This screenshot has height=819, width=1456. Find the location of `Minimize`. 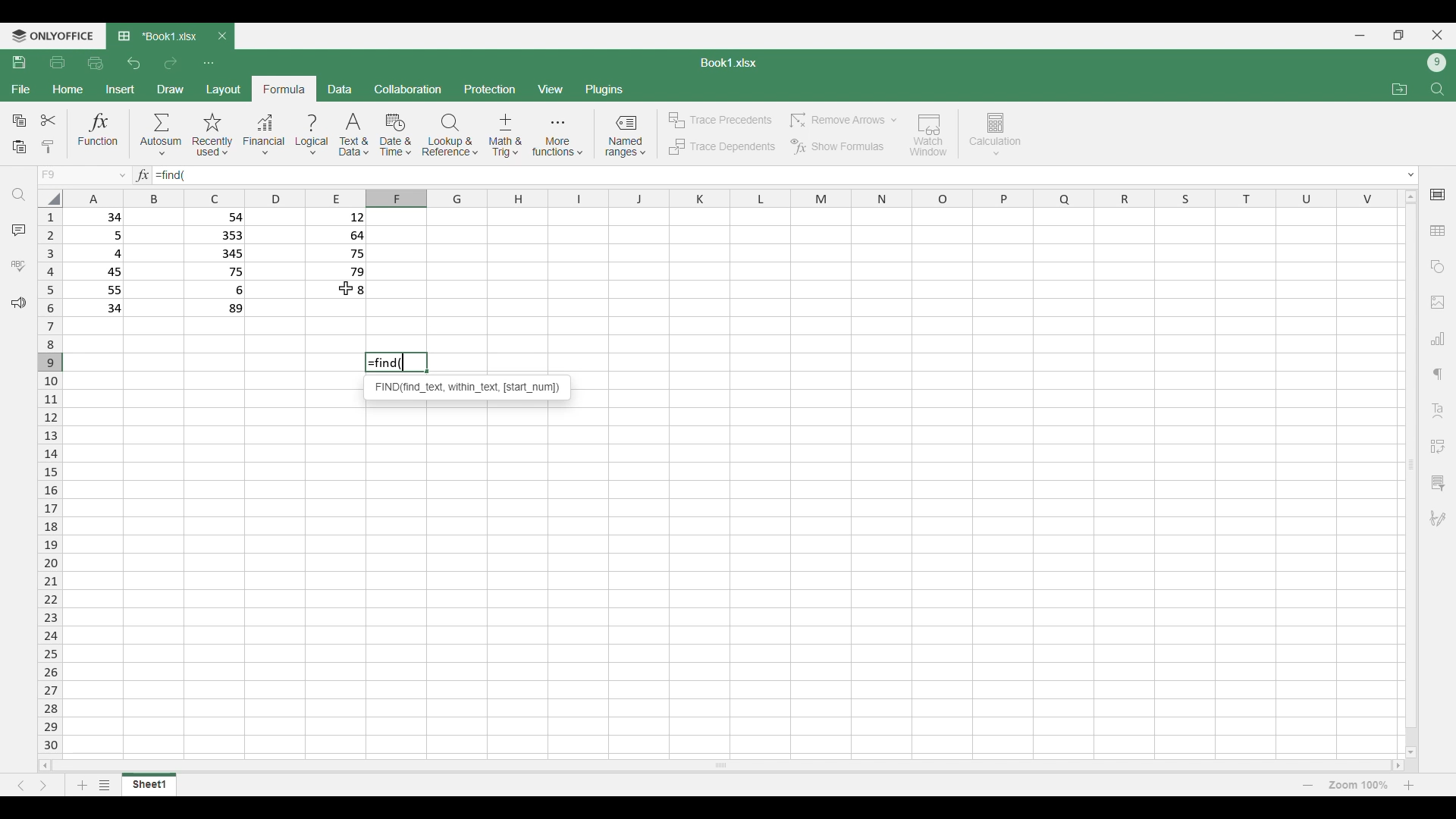

Minimize is located at coordinates (1360, 36).